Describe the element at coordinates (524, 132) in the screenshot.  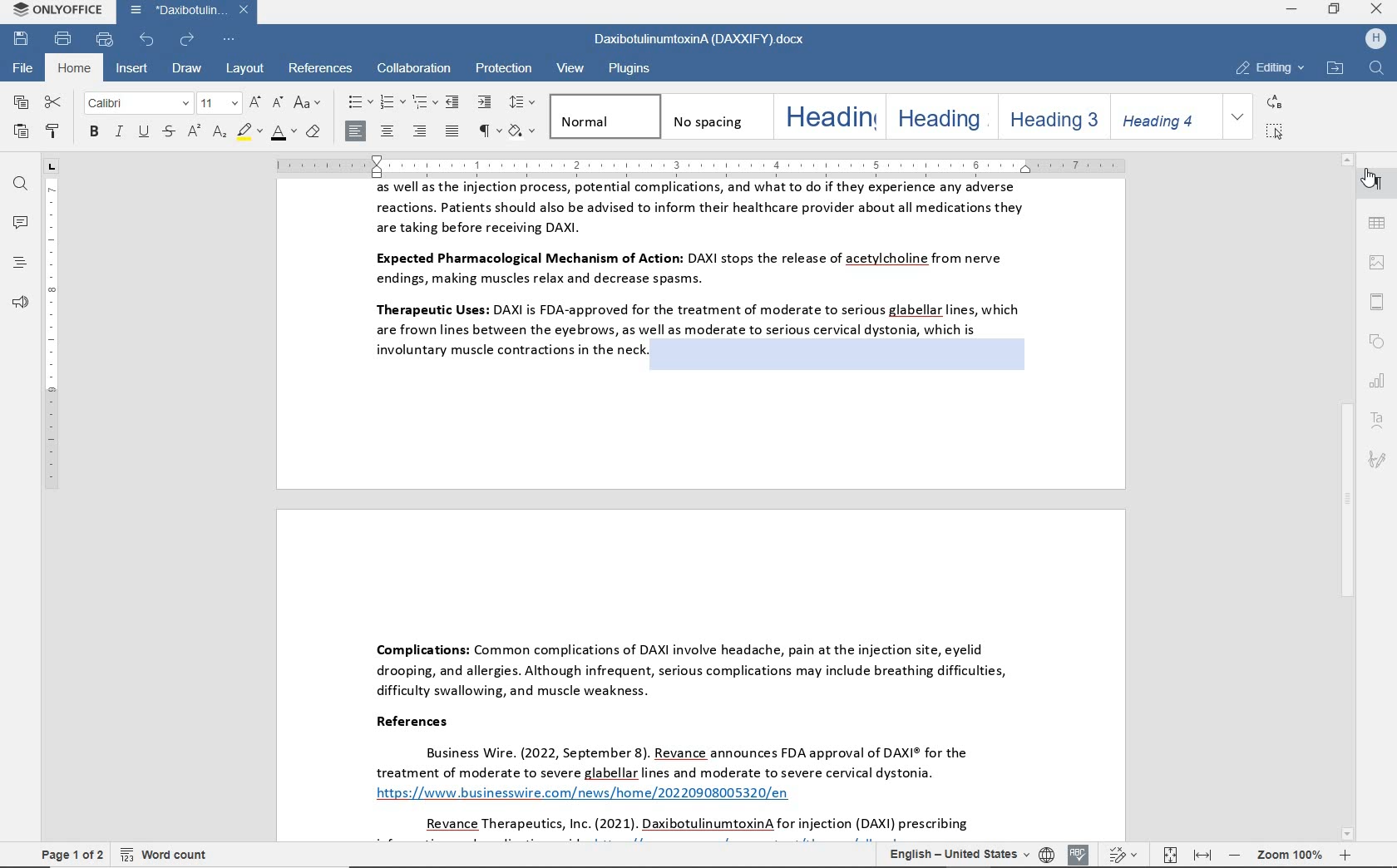
I see `shading` at that location.